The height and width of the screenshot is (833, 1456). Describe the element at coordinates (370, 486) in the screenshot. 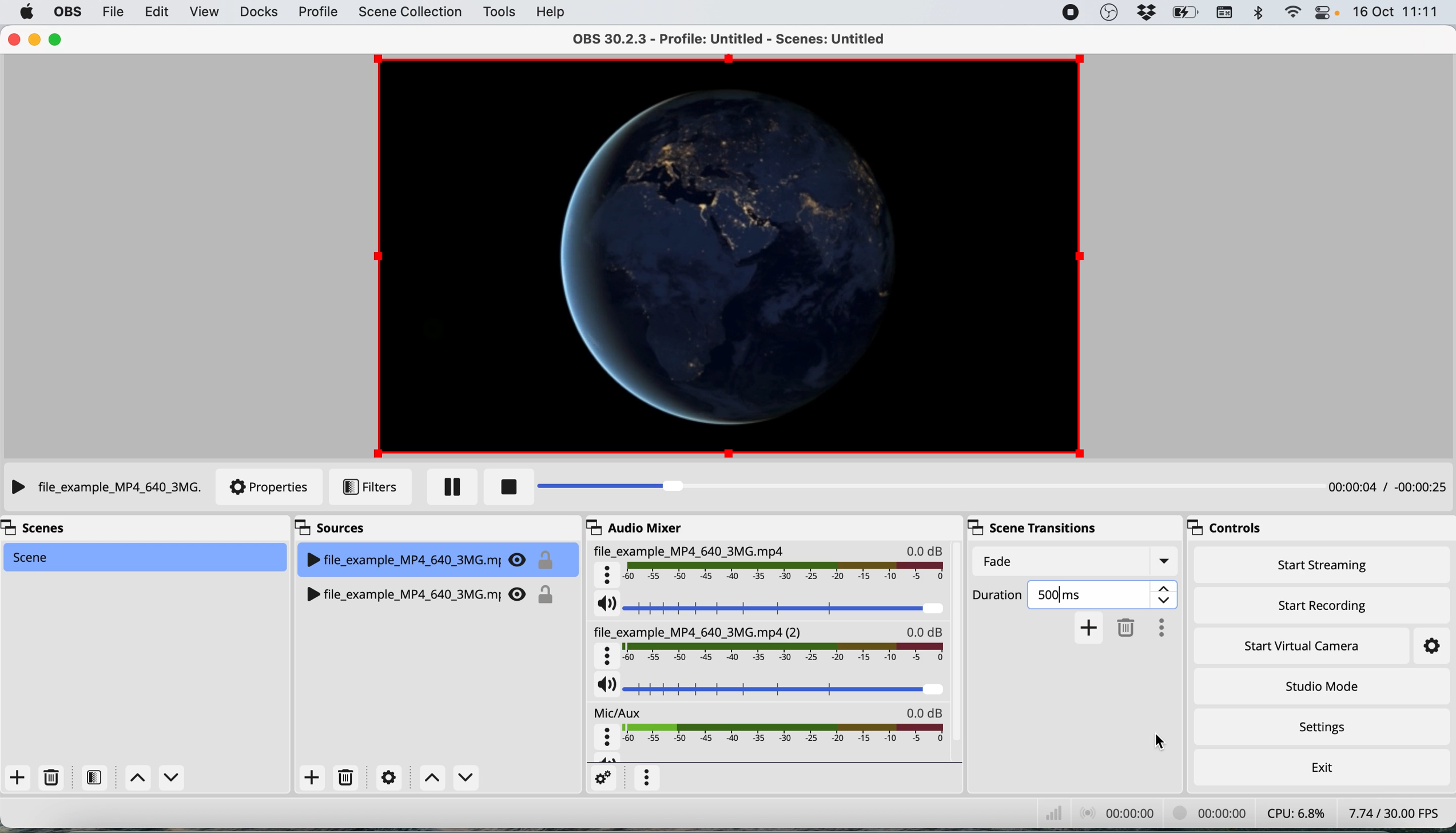

I see `filters` at that location.